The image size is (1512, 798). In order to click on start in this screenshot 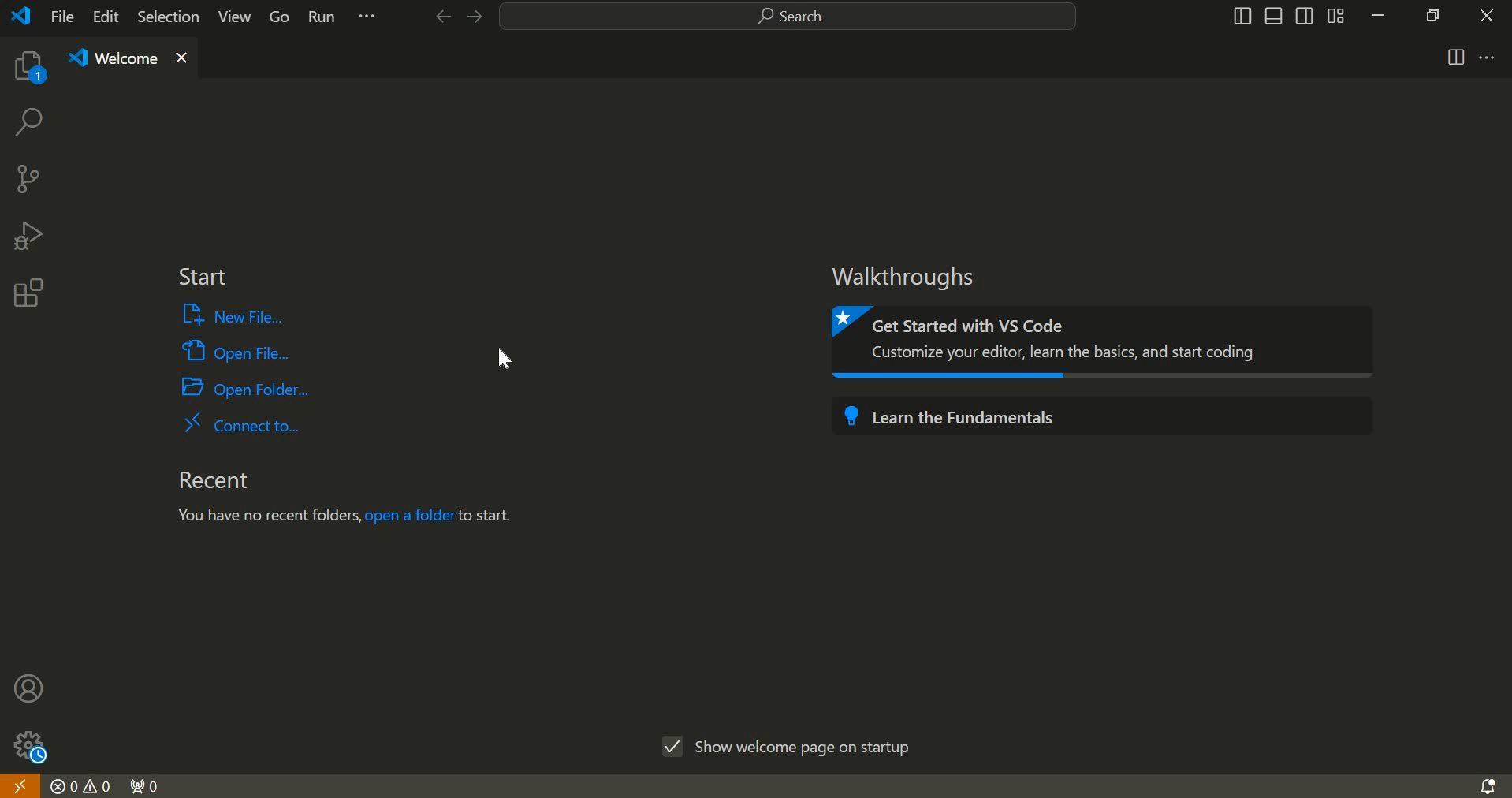, I will do `click(202, 278)`.